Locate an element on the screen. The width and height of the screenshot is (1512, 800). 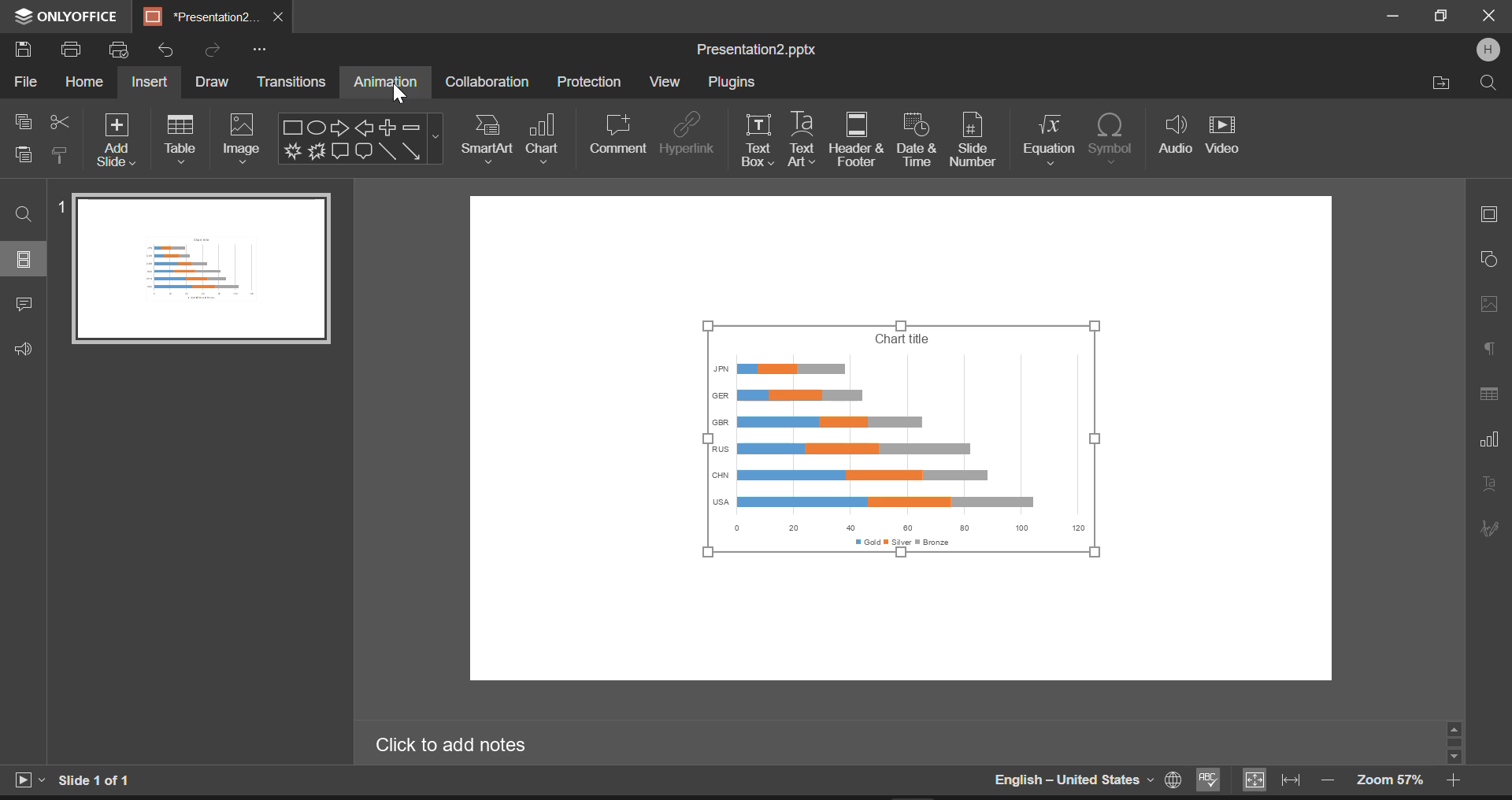
Slide Settings is located at coordinates (1487, 213).